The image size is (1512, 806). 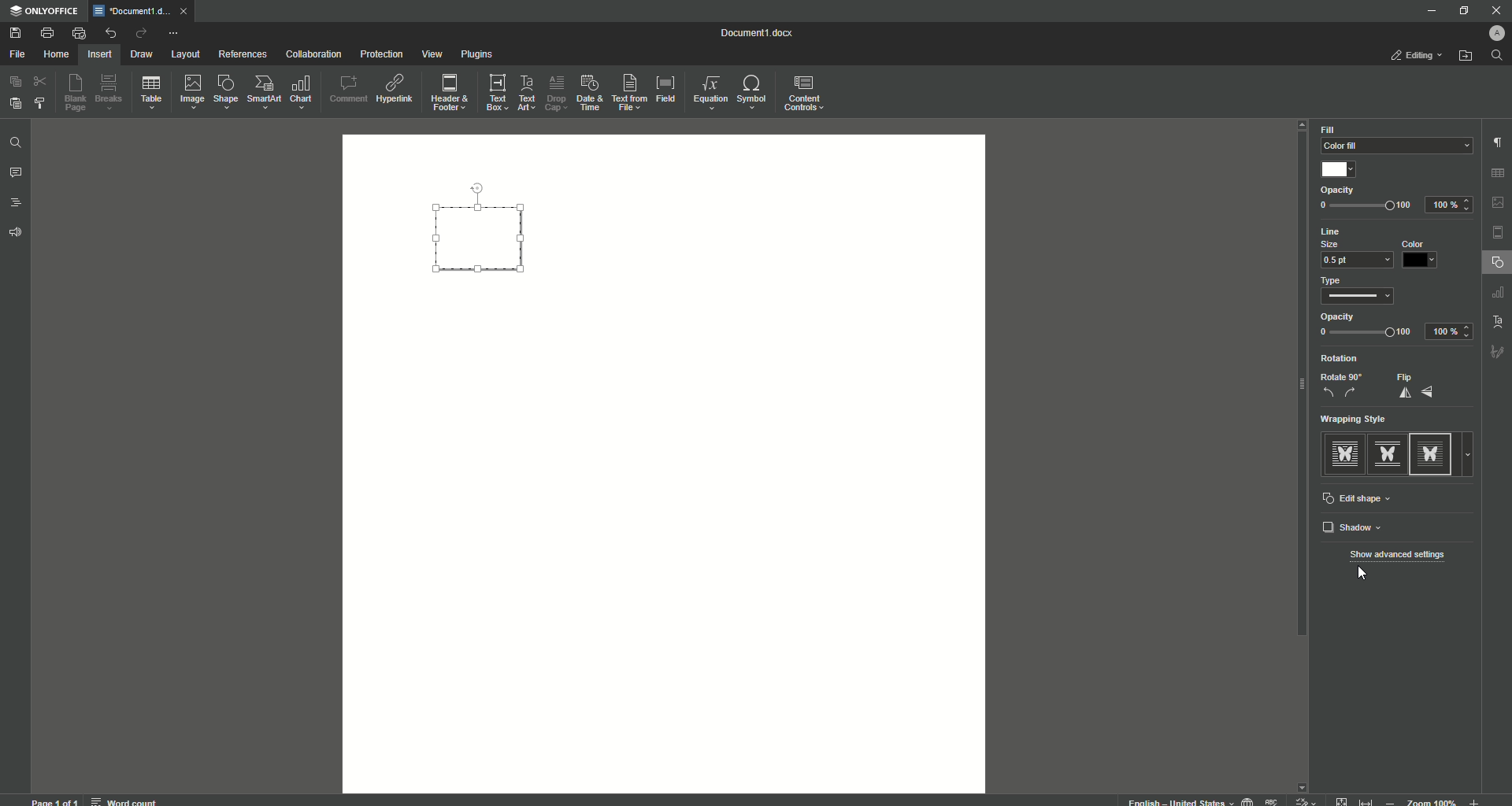 I want to click on File, so click(x=17, y=55).